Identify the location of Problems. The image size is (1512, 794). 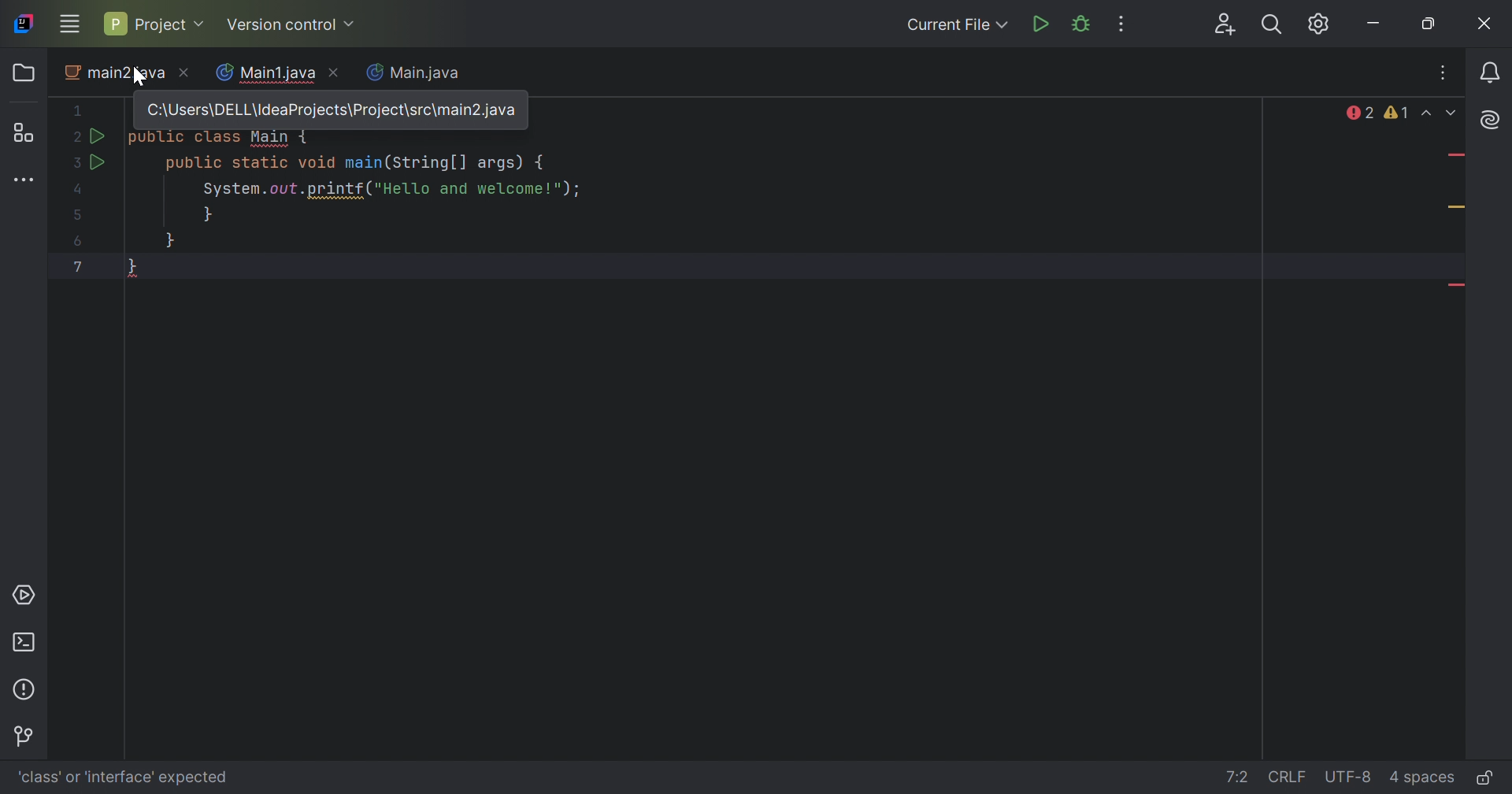
(26, 689).